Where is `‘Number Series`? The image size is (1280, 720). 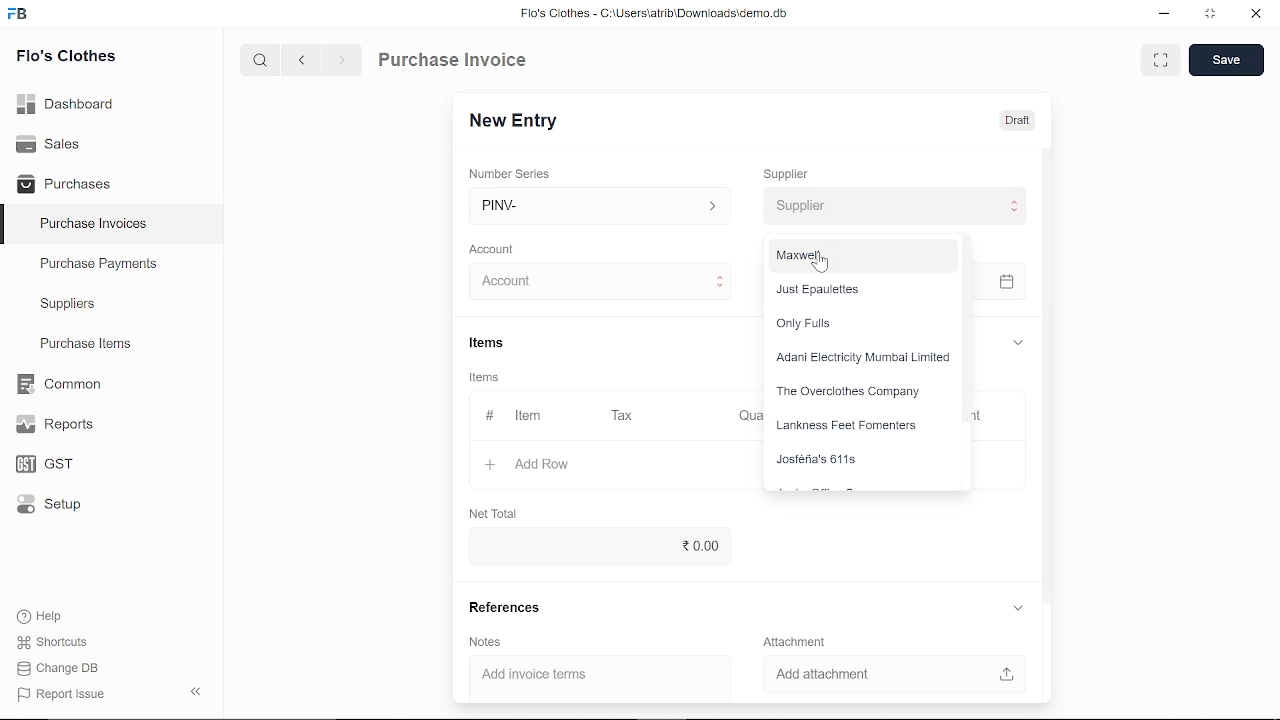
‘Number Series is located at coordinates (516, 173).